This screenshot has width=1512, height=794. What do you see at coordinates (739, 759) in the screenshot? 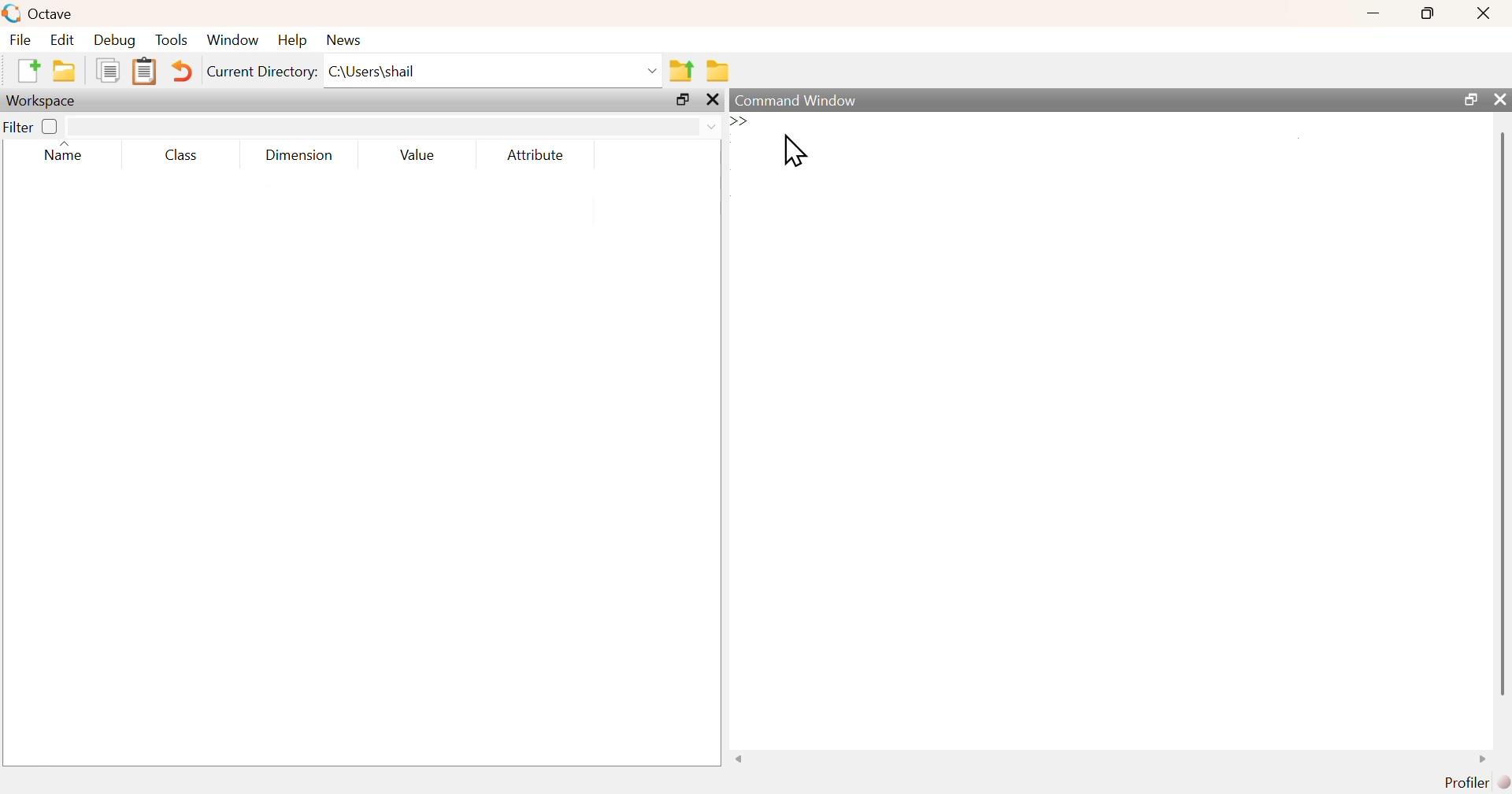
I see `scroll left` at bounding box center [739, 759].